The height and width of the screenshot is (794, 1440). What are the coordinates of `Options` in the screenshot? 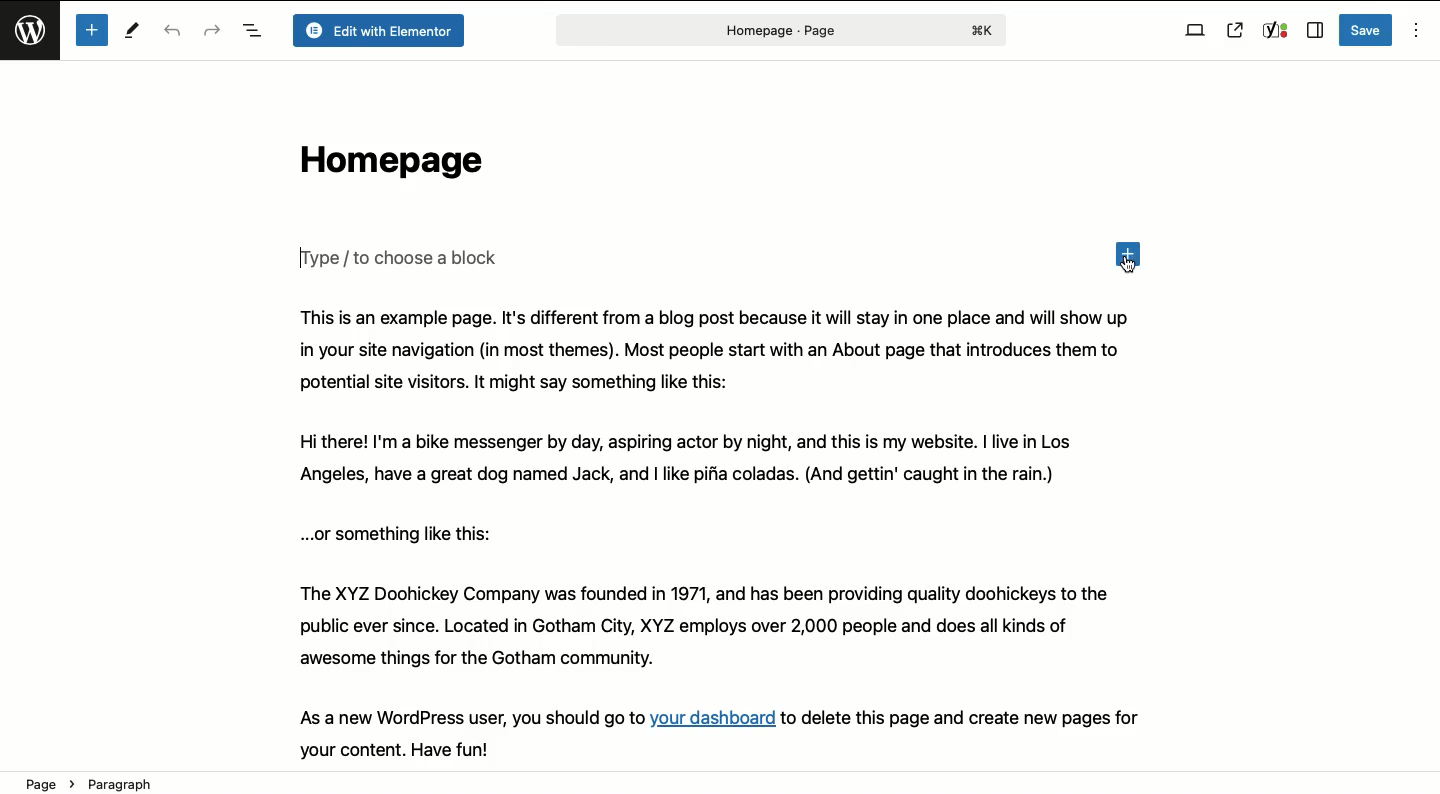 It's located at (1414, 31).